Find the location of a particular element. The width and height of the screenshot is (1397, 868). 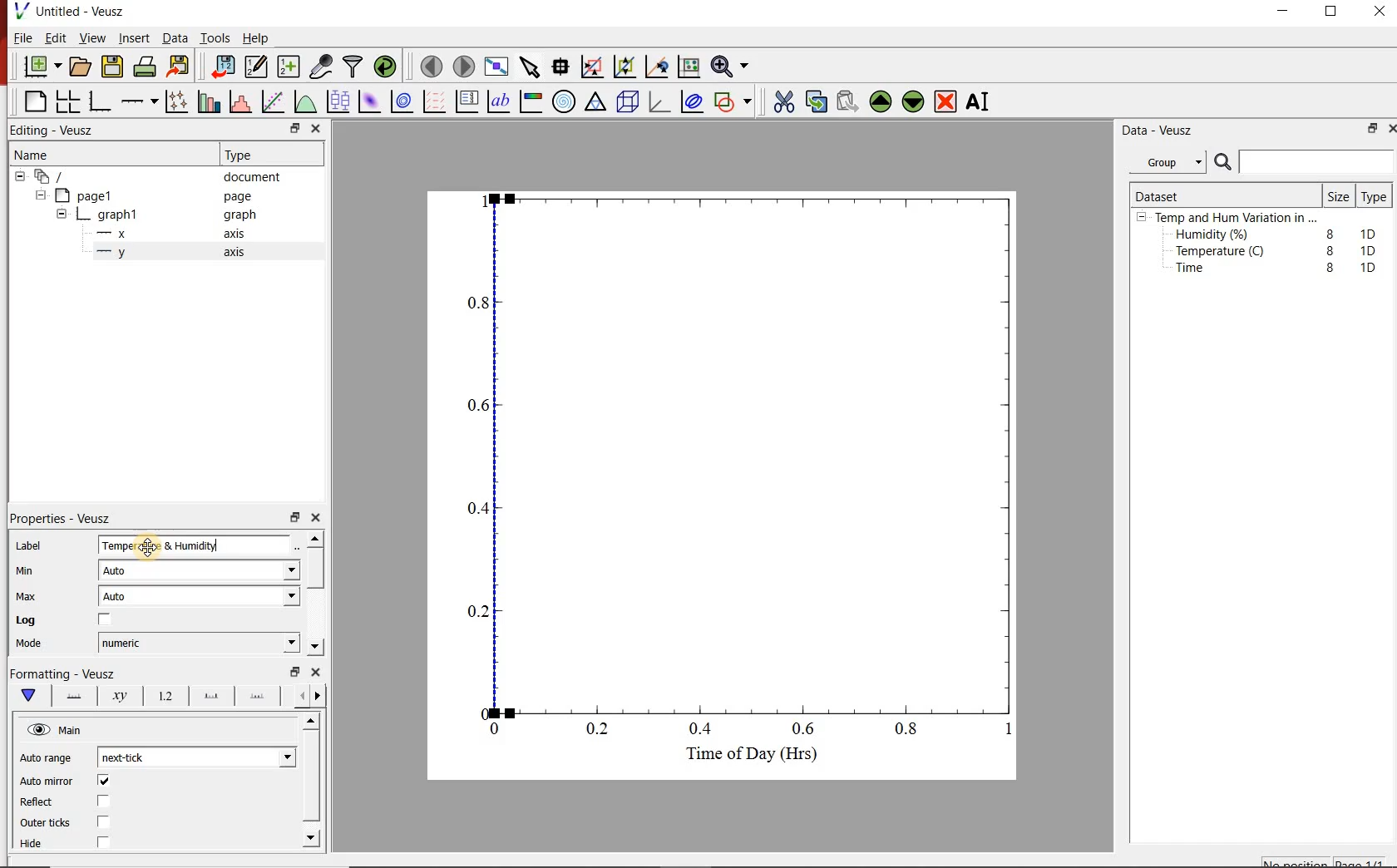

Plot points with lines and error bars is located at coordinates (176, 100).